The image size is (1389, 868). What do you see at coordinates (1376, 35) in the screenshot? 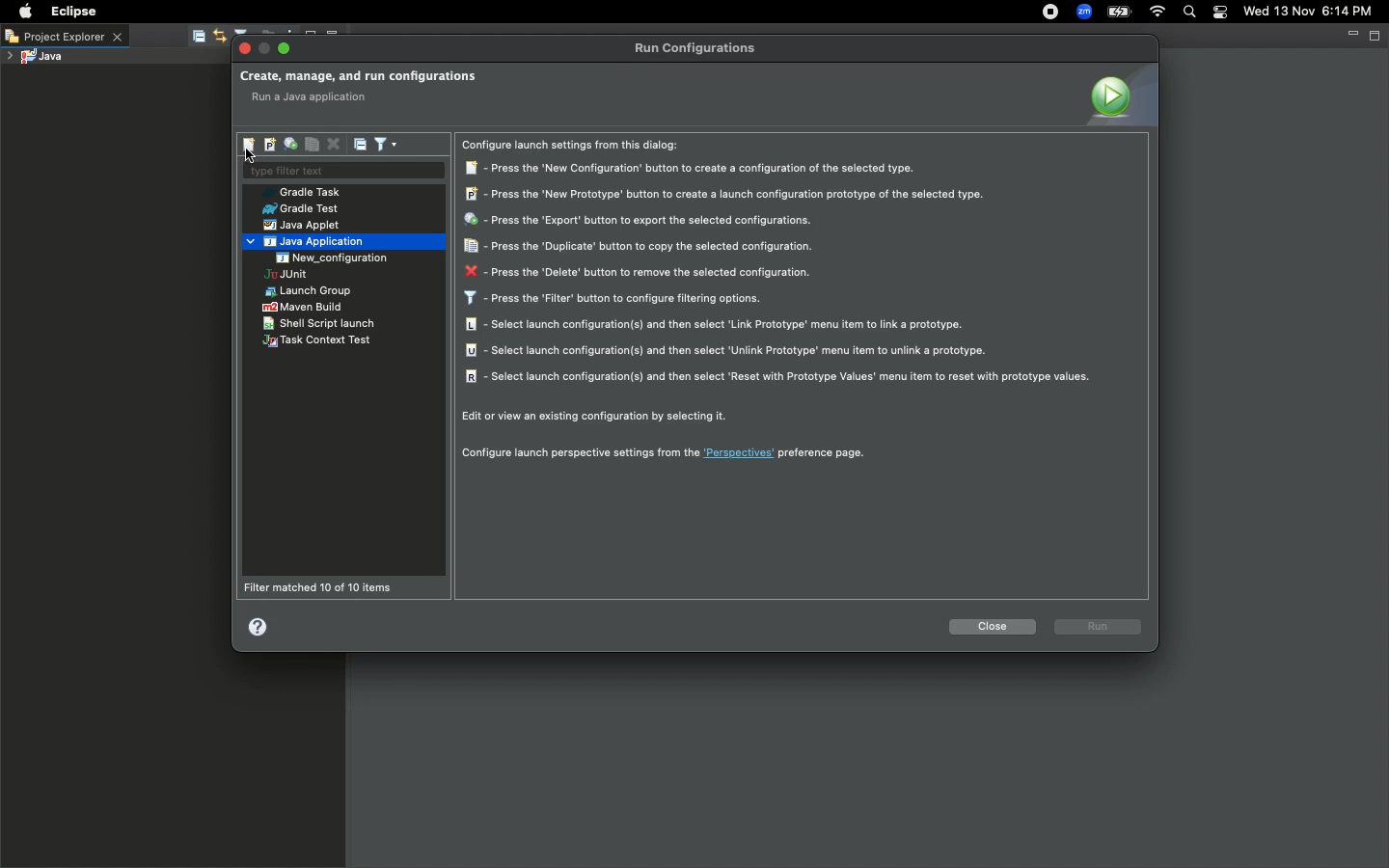
I see `Maximize` at bounding box center [1376, 35].